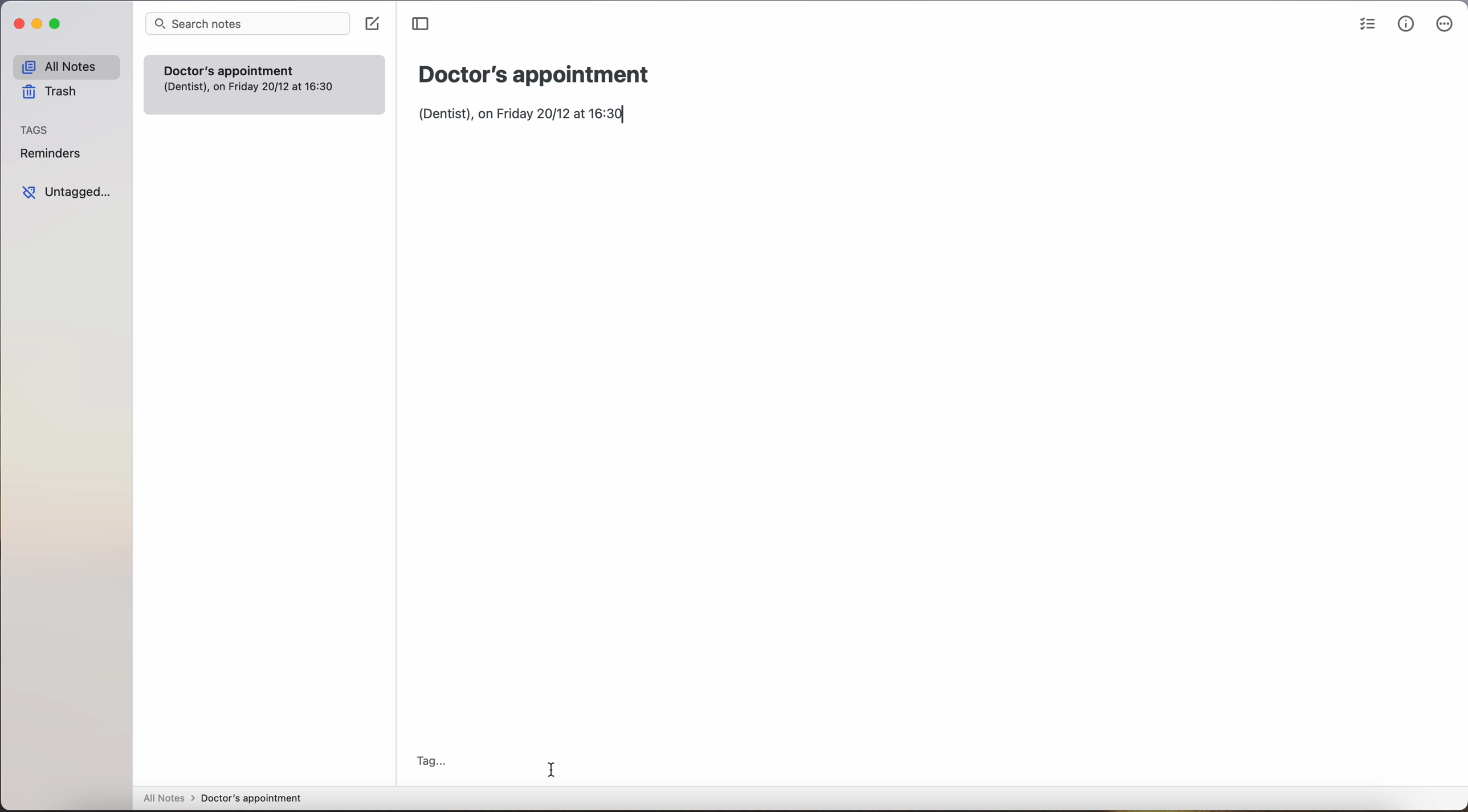 Image resolution: width=1468 pixels, height=812 pixels. What do you see at coordinates (66, 66) in the screenshot?
I see `all notes` at bounding box center [66, 66].